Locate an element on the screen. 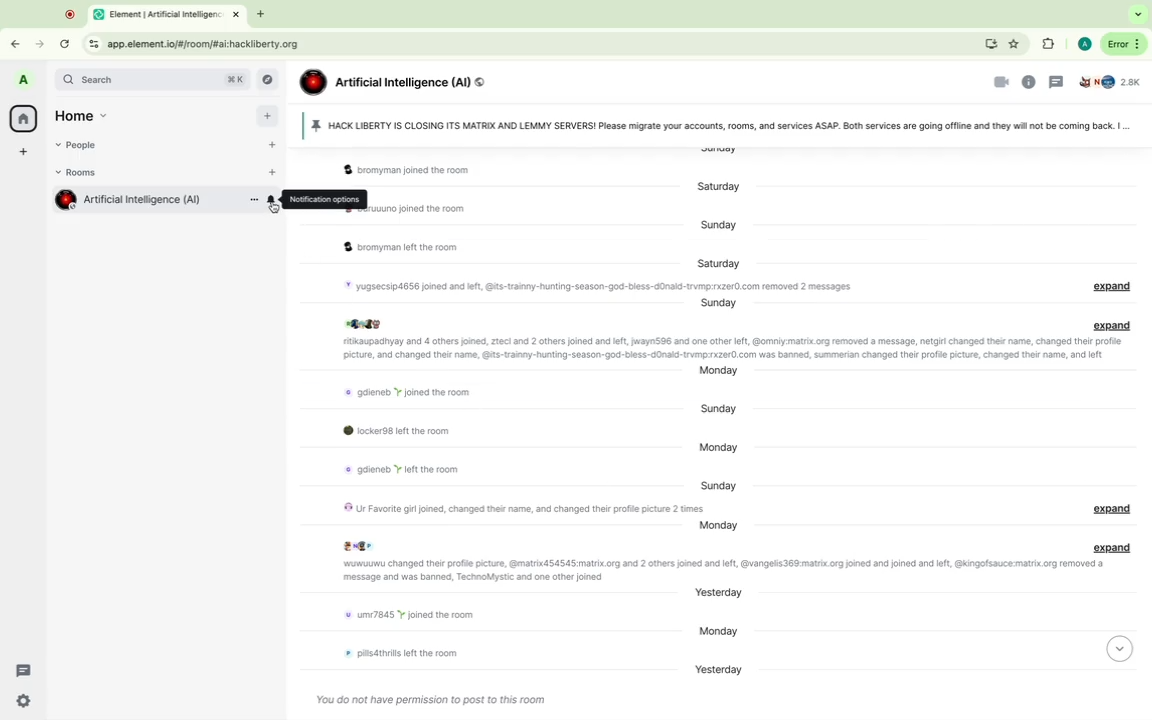  Explore rooms is located at coordinates (270, 79).